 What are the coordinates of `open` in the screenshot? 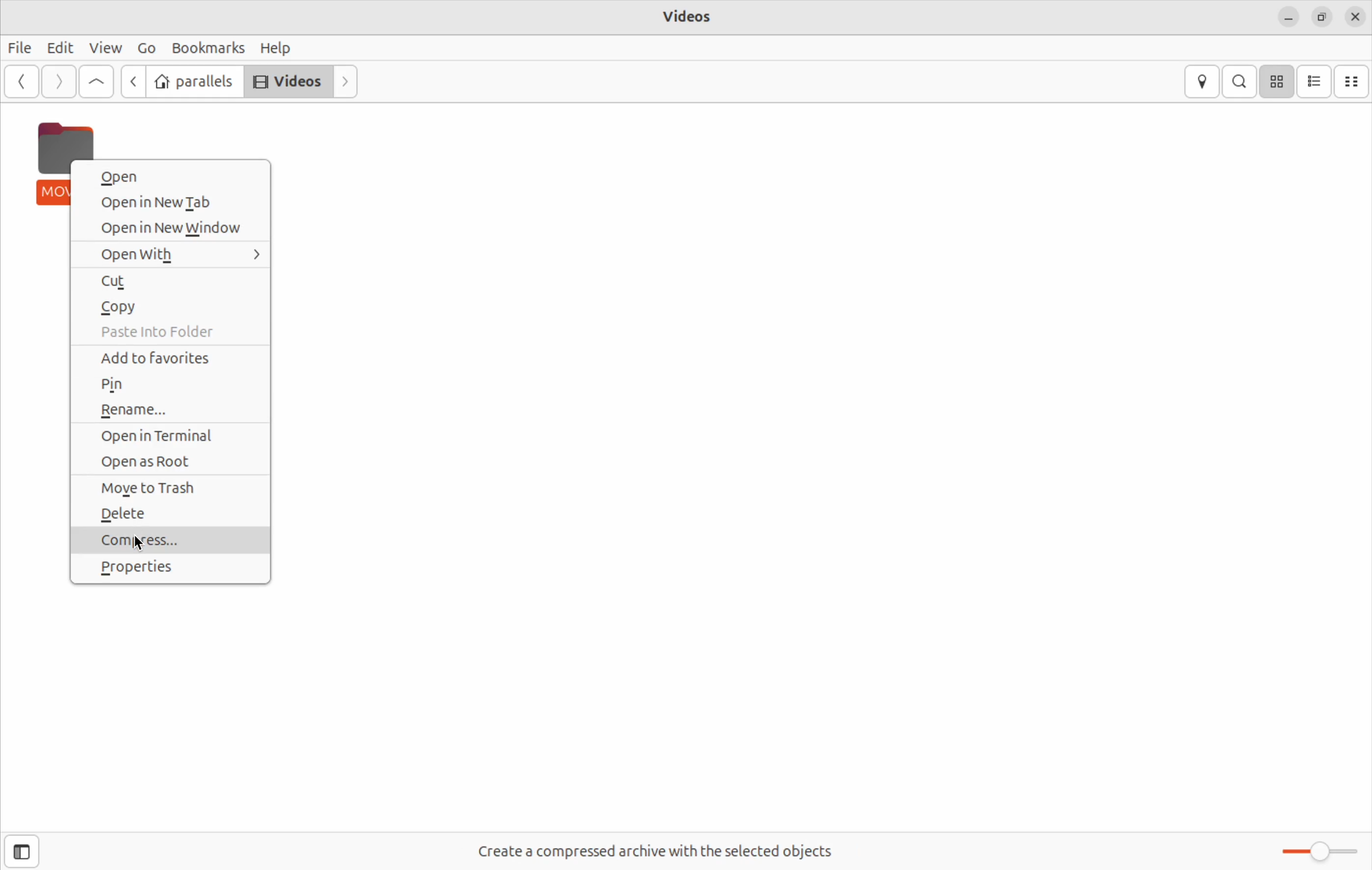 It's located at (163, 177).